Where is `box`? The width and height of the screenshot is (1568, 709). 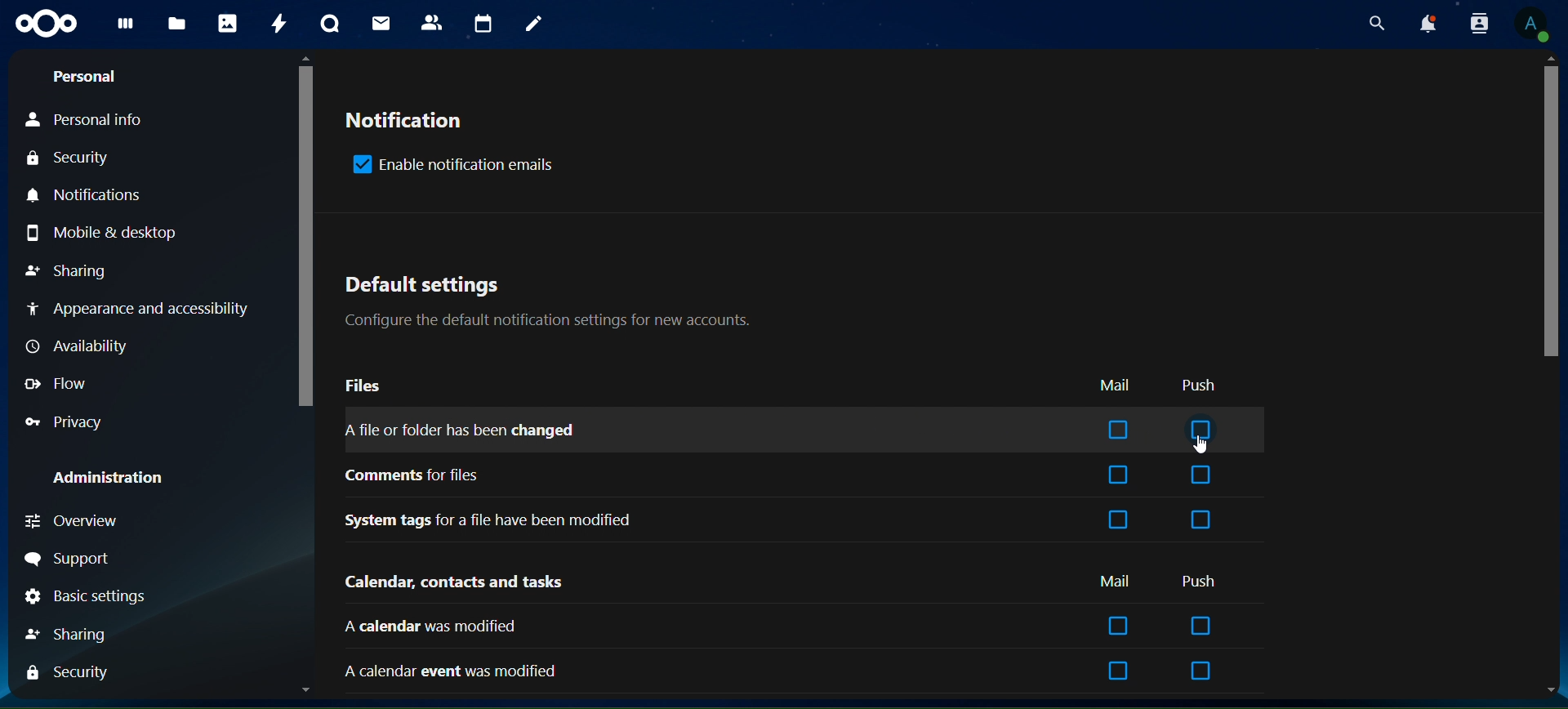
box is located at coordinates (1119, 626).